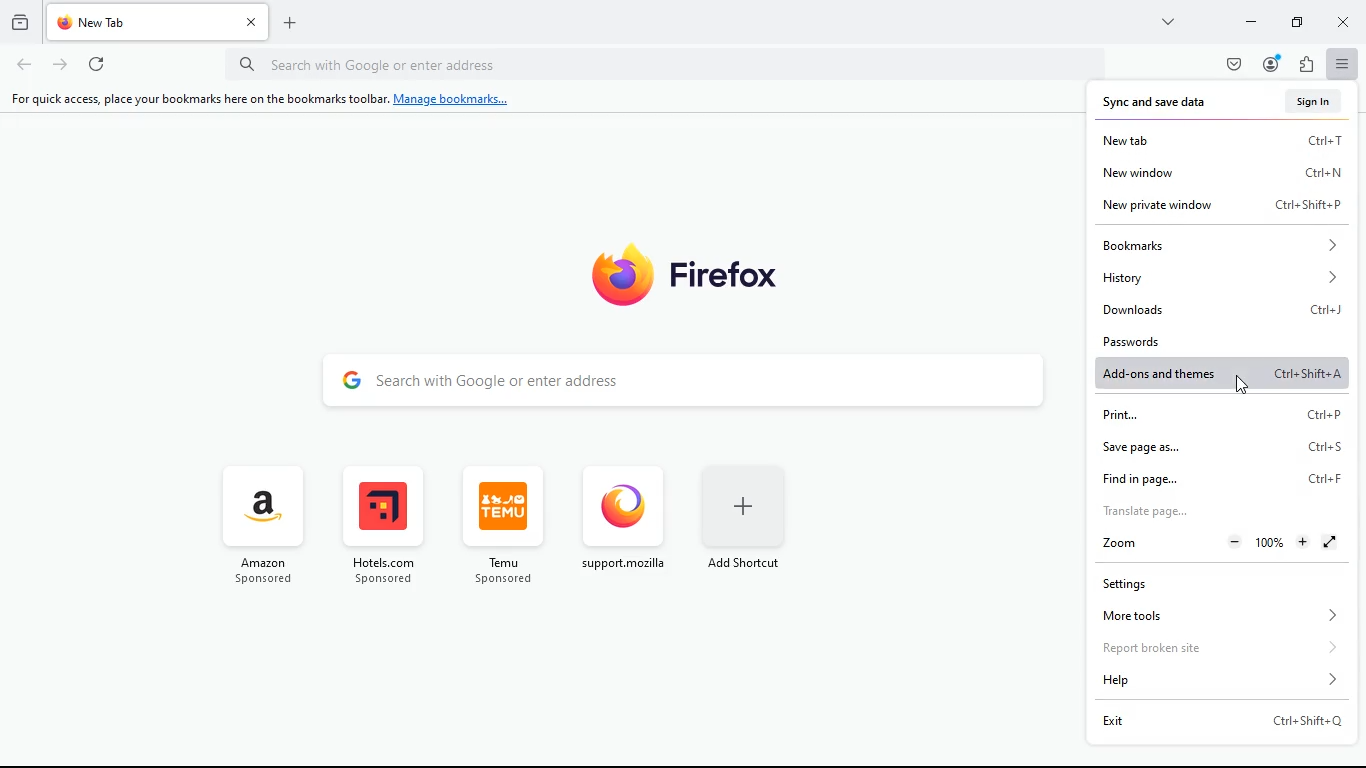  Describe the element at coordinates (1235, 541) in the screenshot. I see `zoom out` at that location.